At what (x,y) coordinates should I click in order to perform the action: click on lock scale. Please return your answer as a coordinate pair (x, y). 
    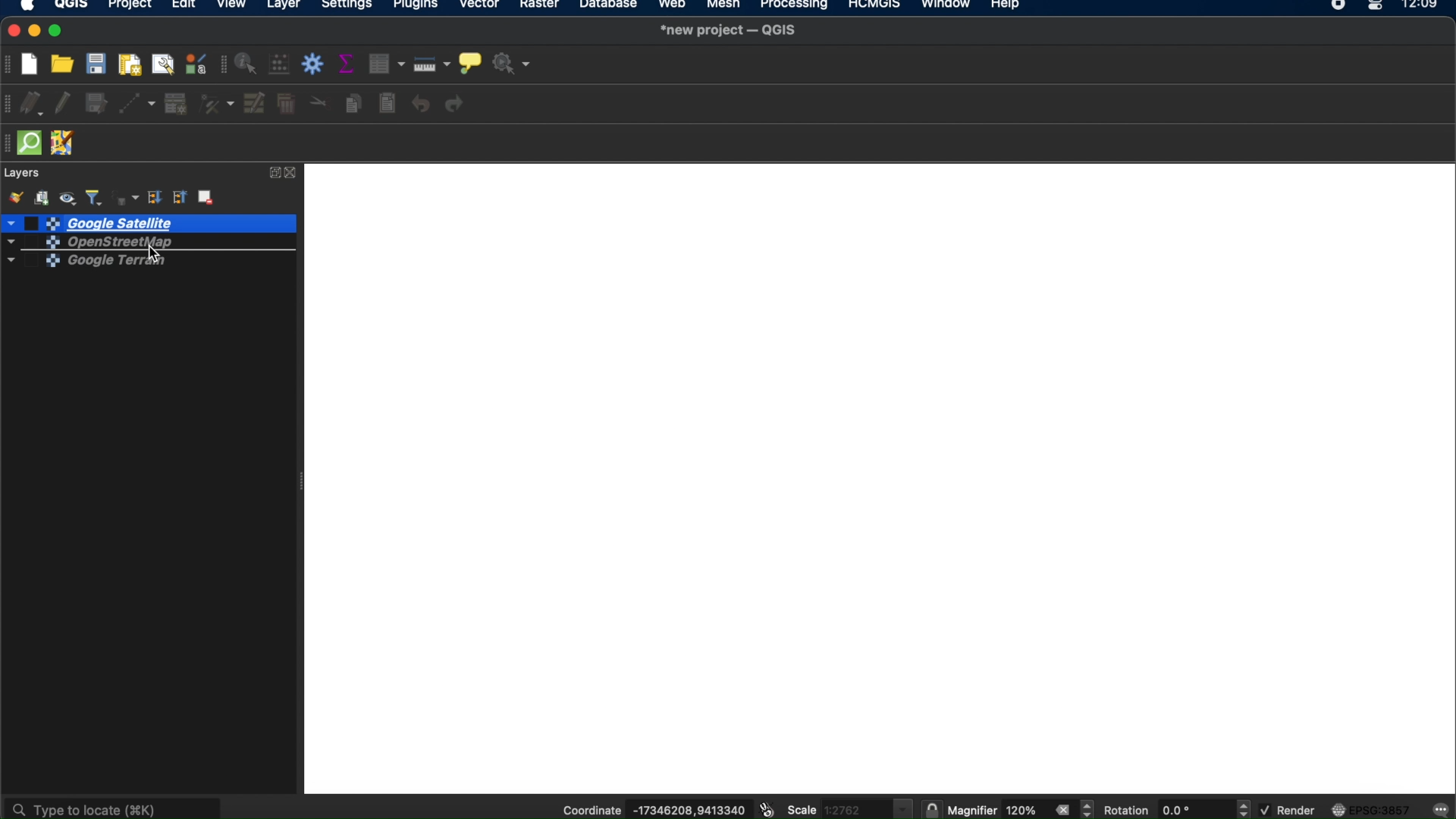
    Looking at the image, I should click on (931, 810).